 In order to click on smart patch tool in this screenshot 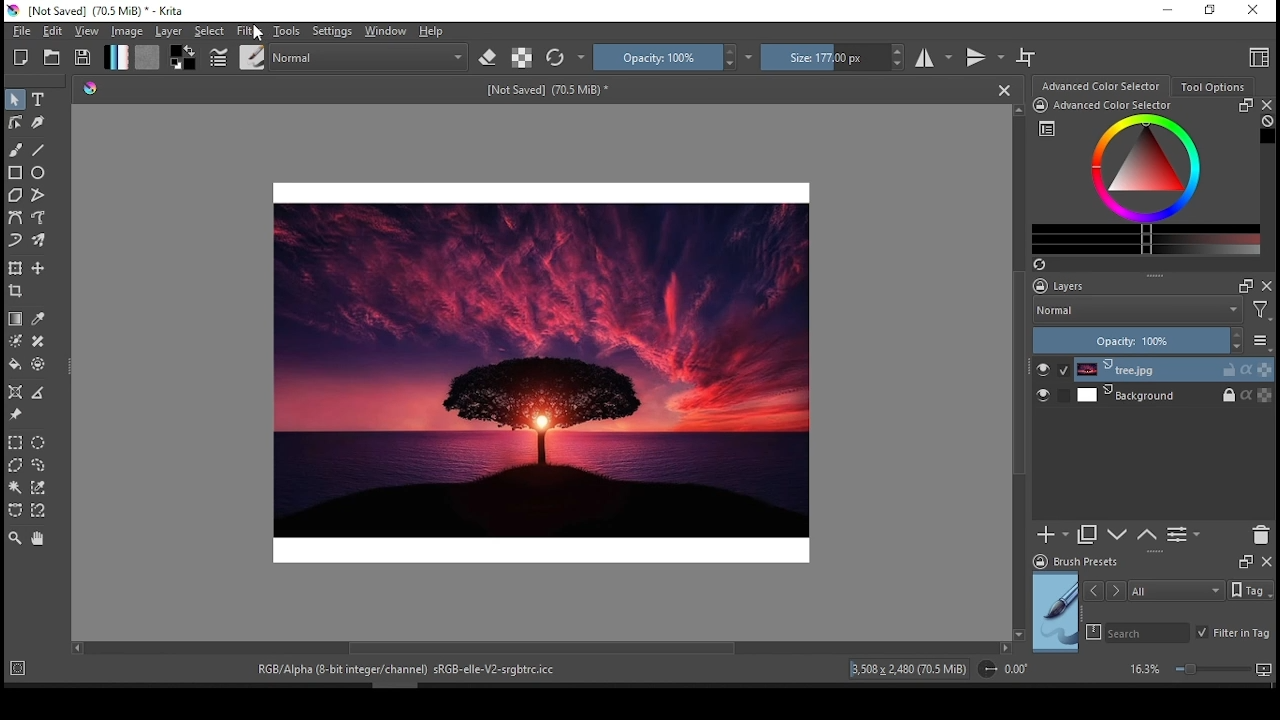, I will do `click(38, 340)`.